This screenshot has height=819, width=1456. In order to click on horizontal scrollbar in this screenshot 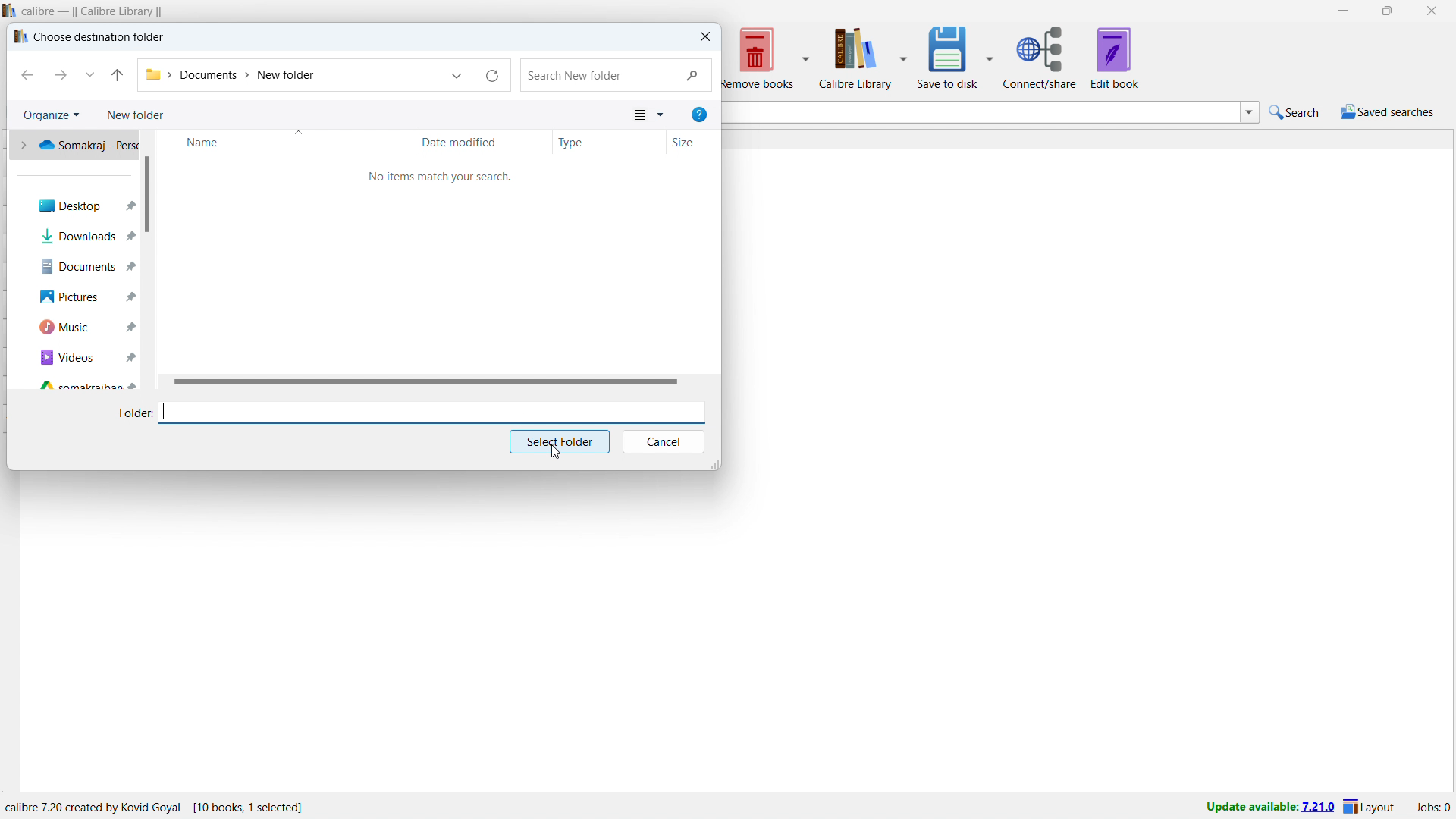, I will do `click(426, 381)`.